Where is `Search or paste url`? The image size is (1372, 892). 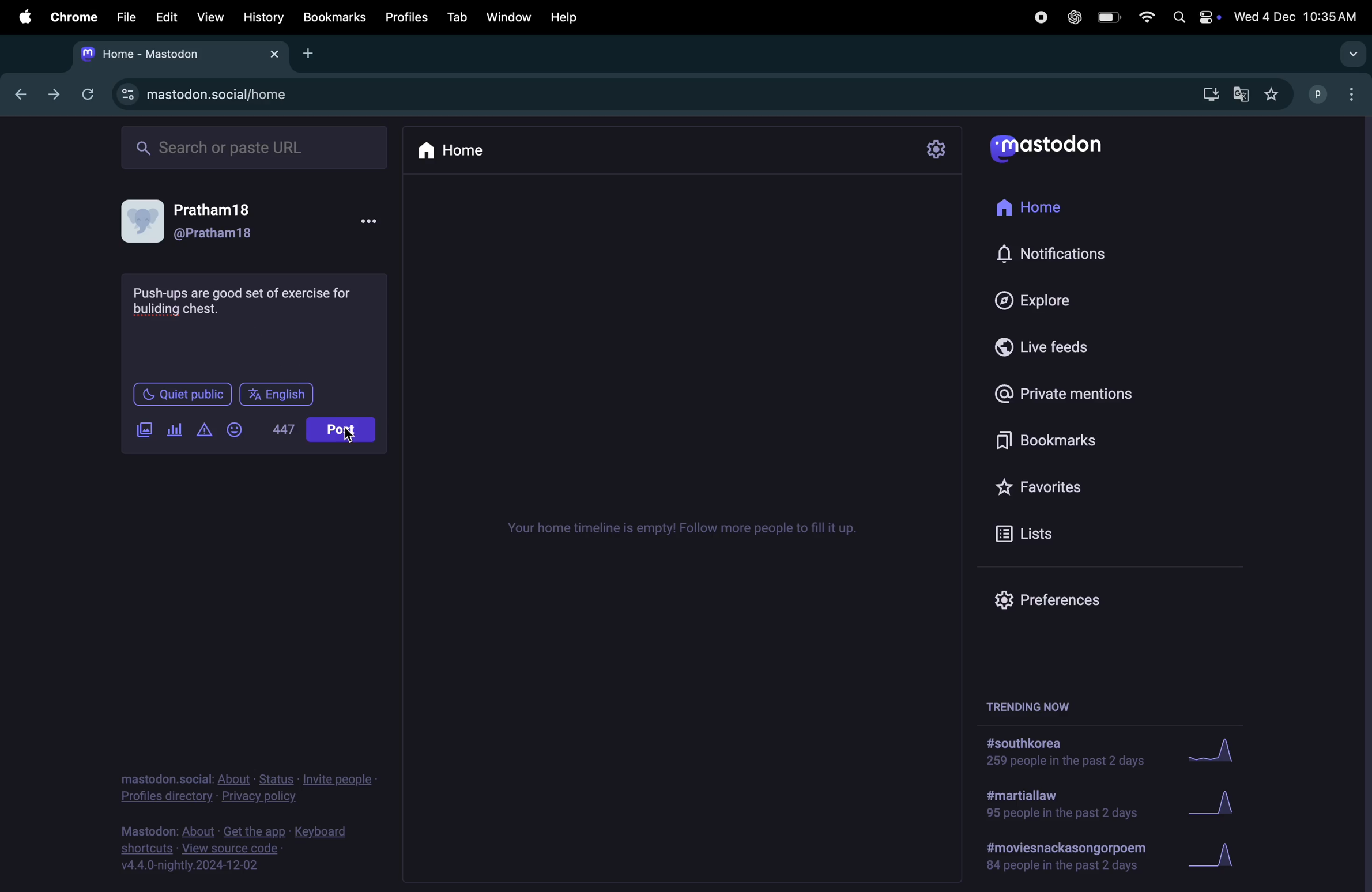
Search or paste url is located at coordinates (257, 147).